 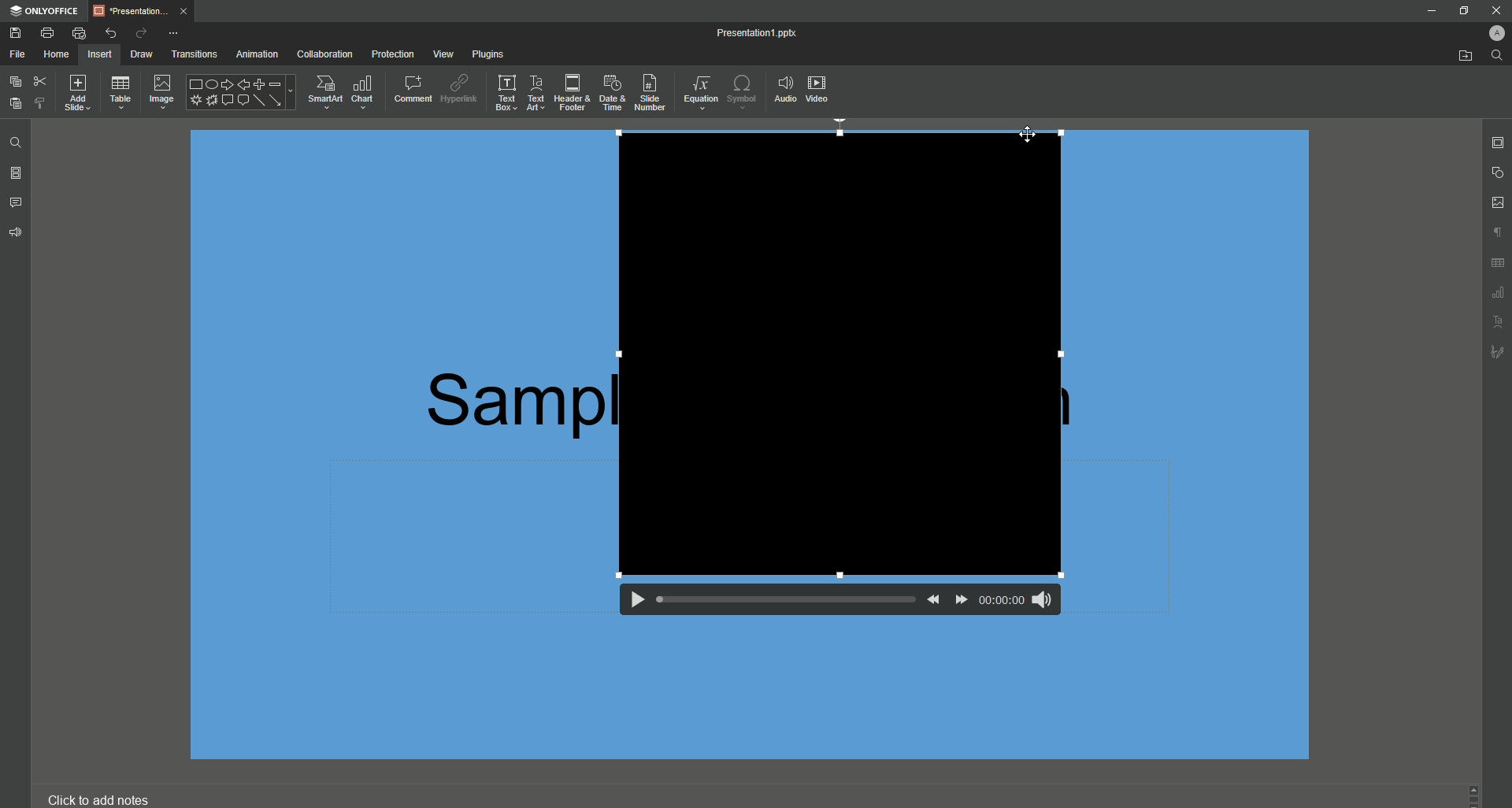 What do you see at coordinates (1499, 173) in the screenshot?
I see `Shape Settings` at bounding box center [1499, 173].